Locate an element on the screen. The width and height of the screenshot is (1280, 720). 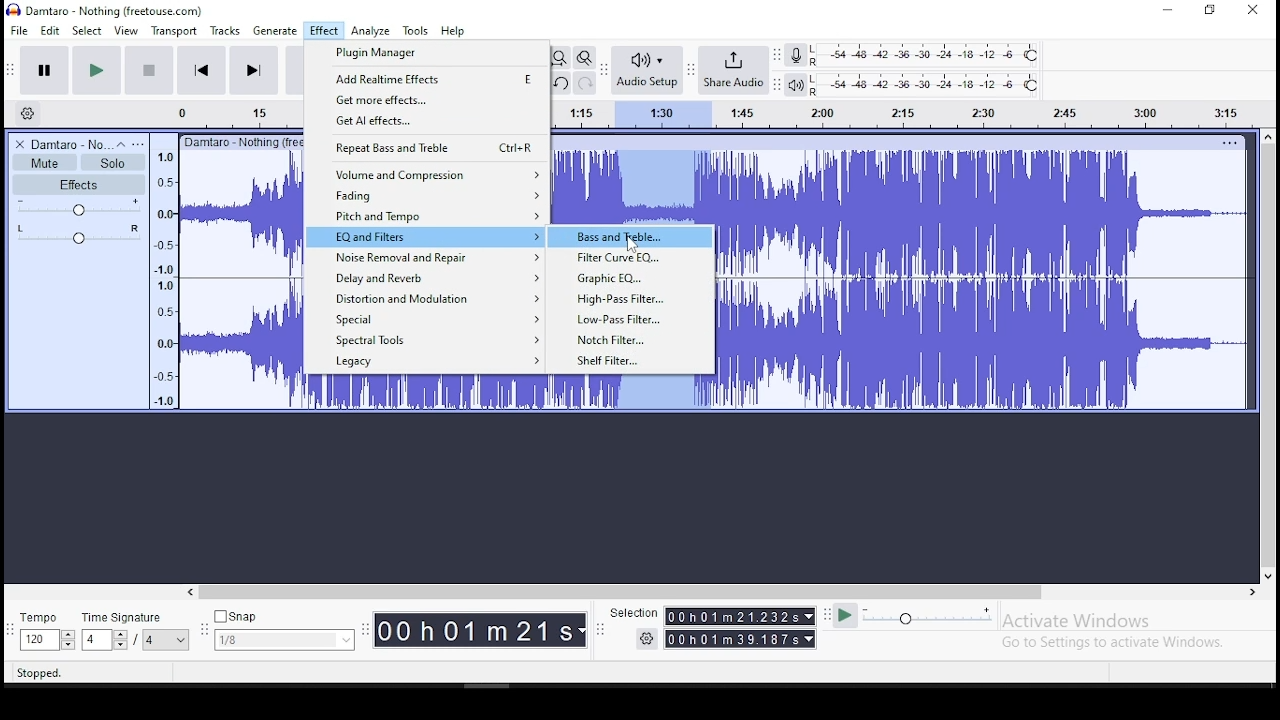
tracks is located at coordinates (227, 31).